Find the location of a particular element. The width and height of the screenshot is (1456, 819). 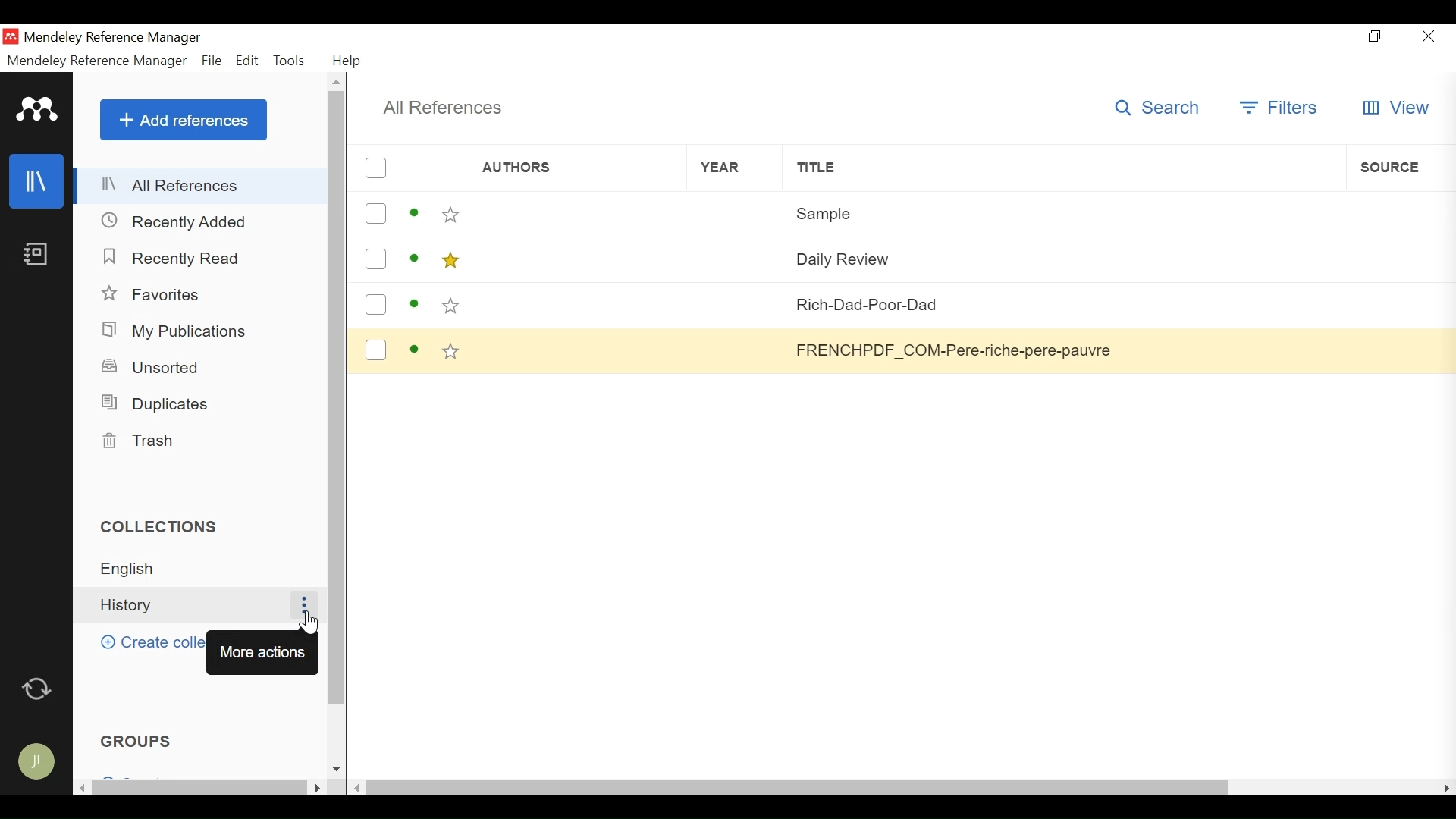

Authors is located at coordinates (579, 349).